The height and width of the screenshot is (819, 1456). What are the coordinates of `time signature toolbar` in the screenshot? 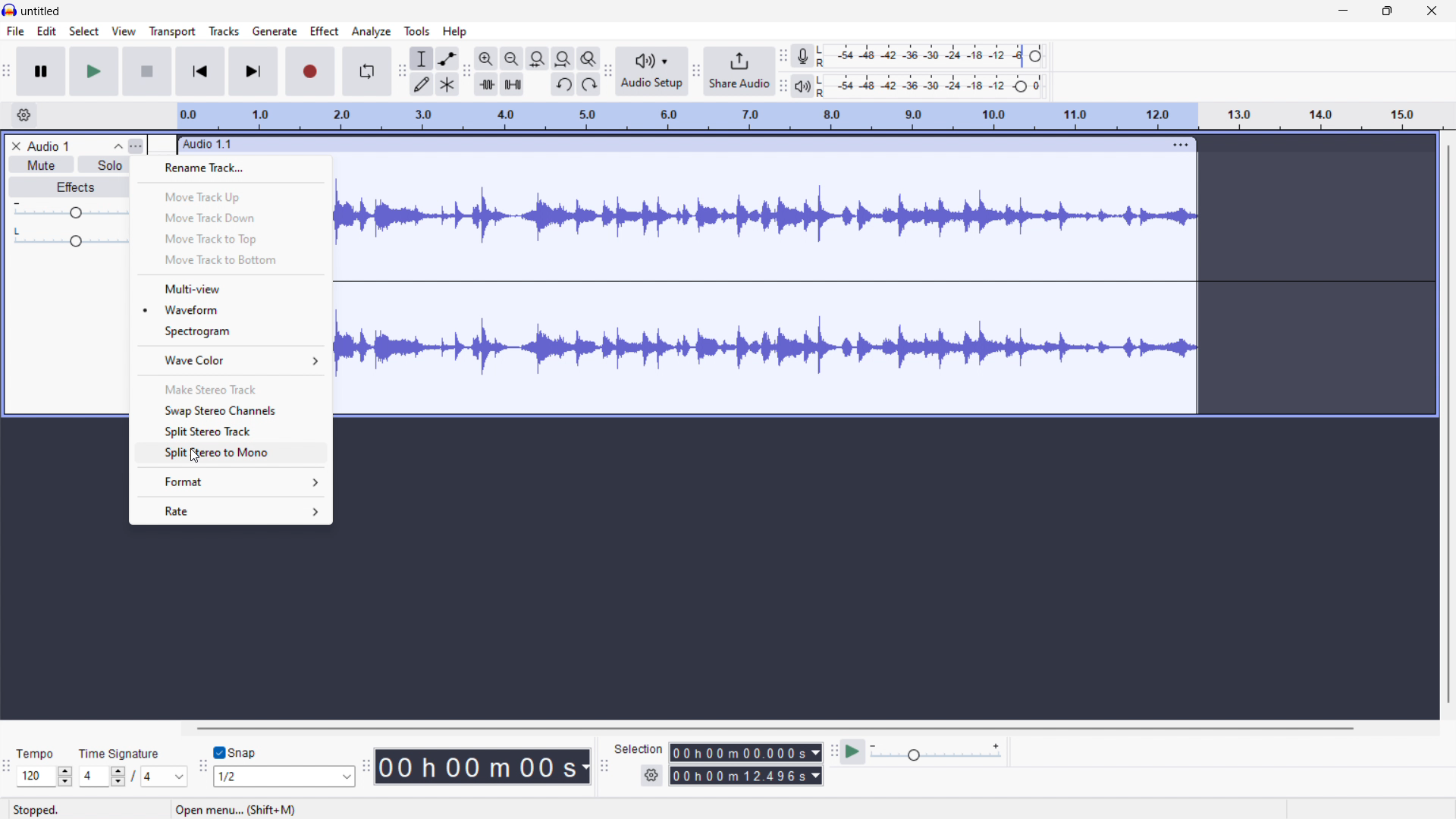 It's located at (7, 770).